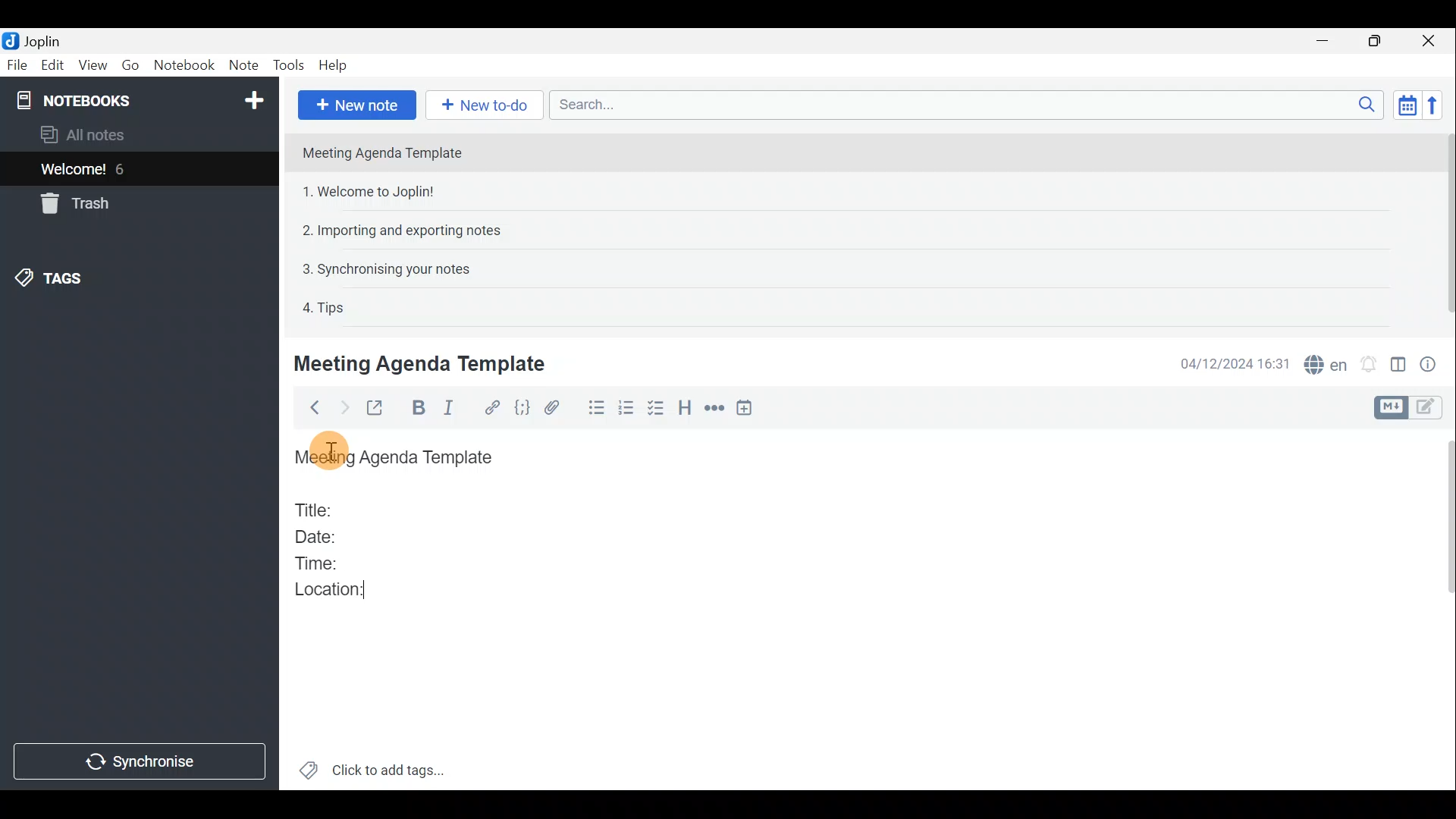  What do you see at coordinates (1399, 367) in the screenshot?
I see `Toggle editor layout` at bounding box center [1399, 367].